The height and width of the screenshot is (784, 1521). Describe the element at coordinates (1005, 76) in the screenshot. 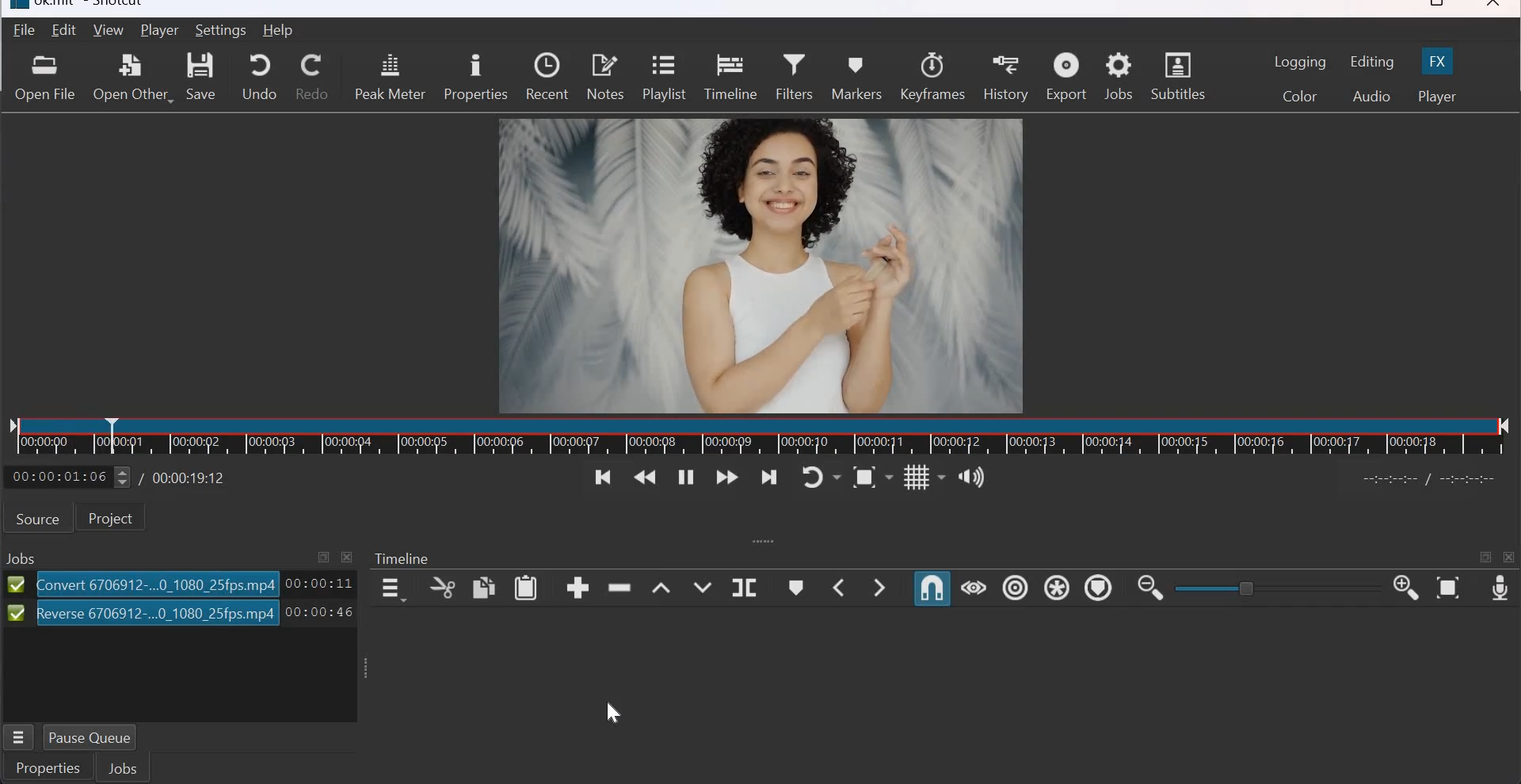

I see `History` at that location.